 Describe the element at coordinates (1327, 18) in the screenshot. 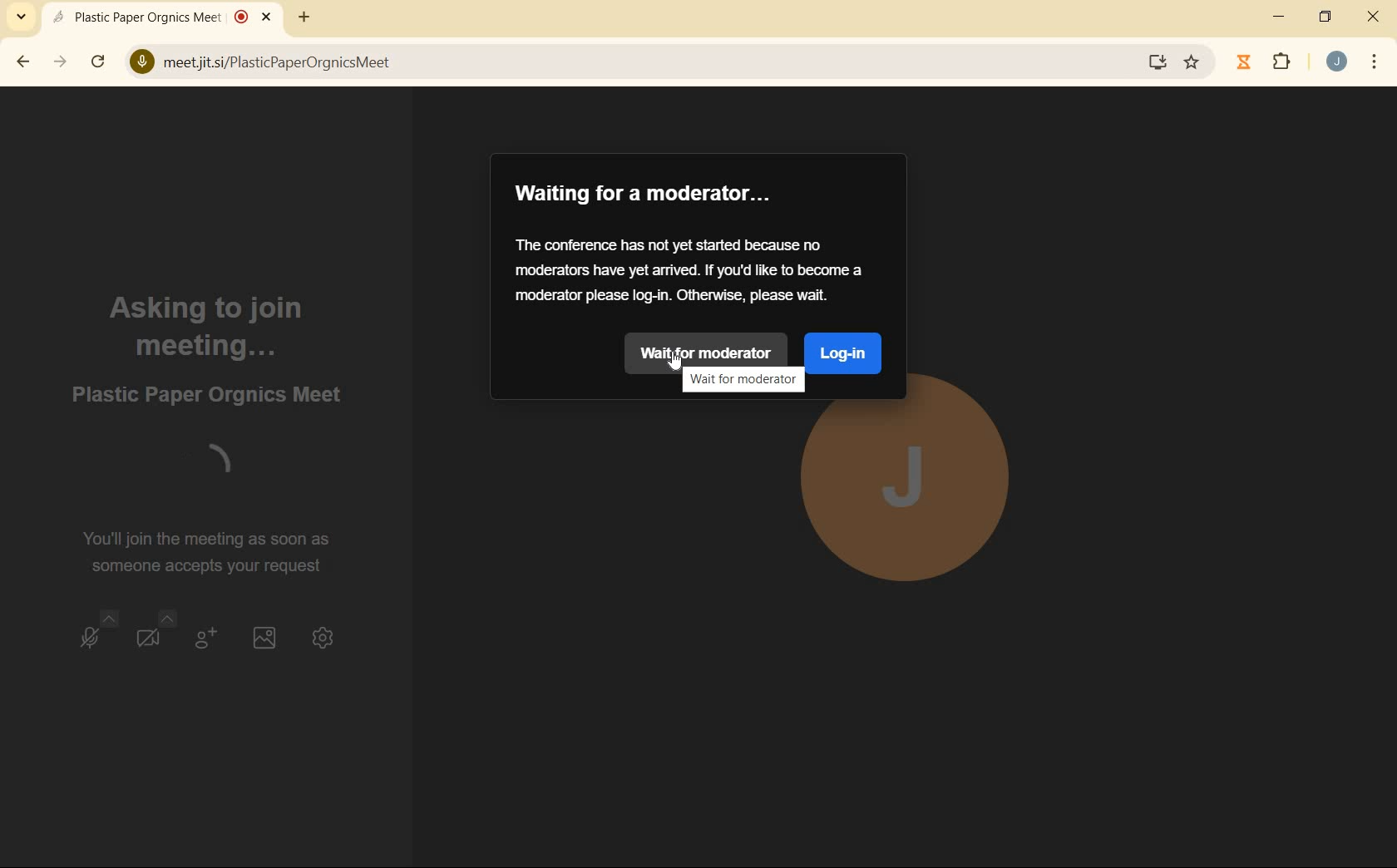

I see `restore down` at that location.